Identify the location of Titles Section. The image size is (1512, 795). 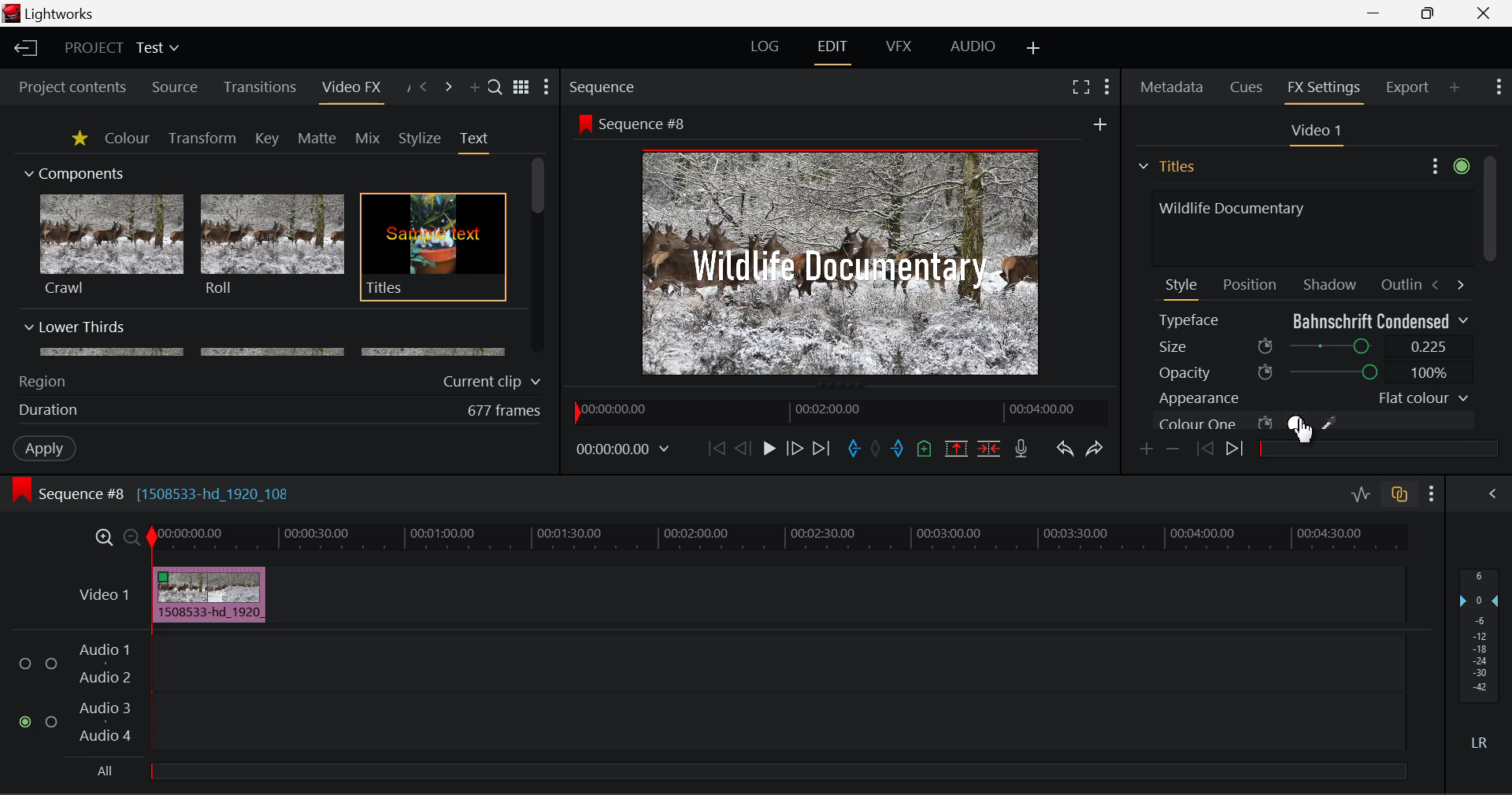
(1166, 166).